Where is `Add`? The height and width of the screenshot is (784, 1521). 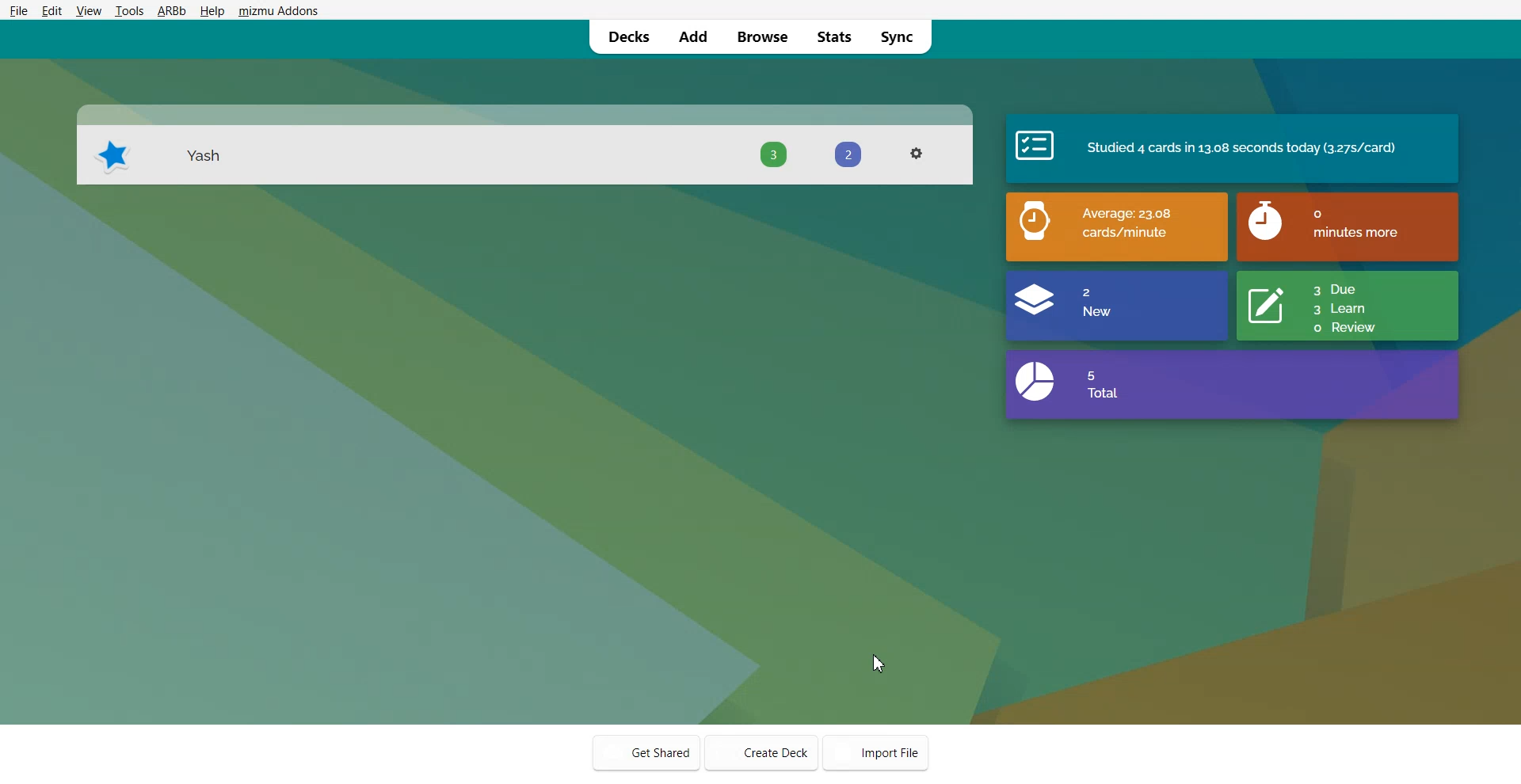
Add is located at coordinates (692, 36).